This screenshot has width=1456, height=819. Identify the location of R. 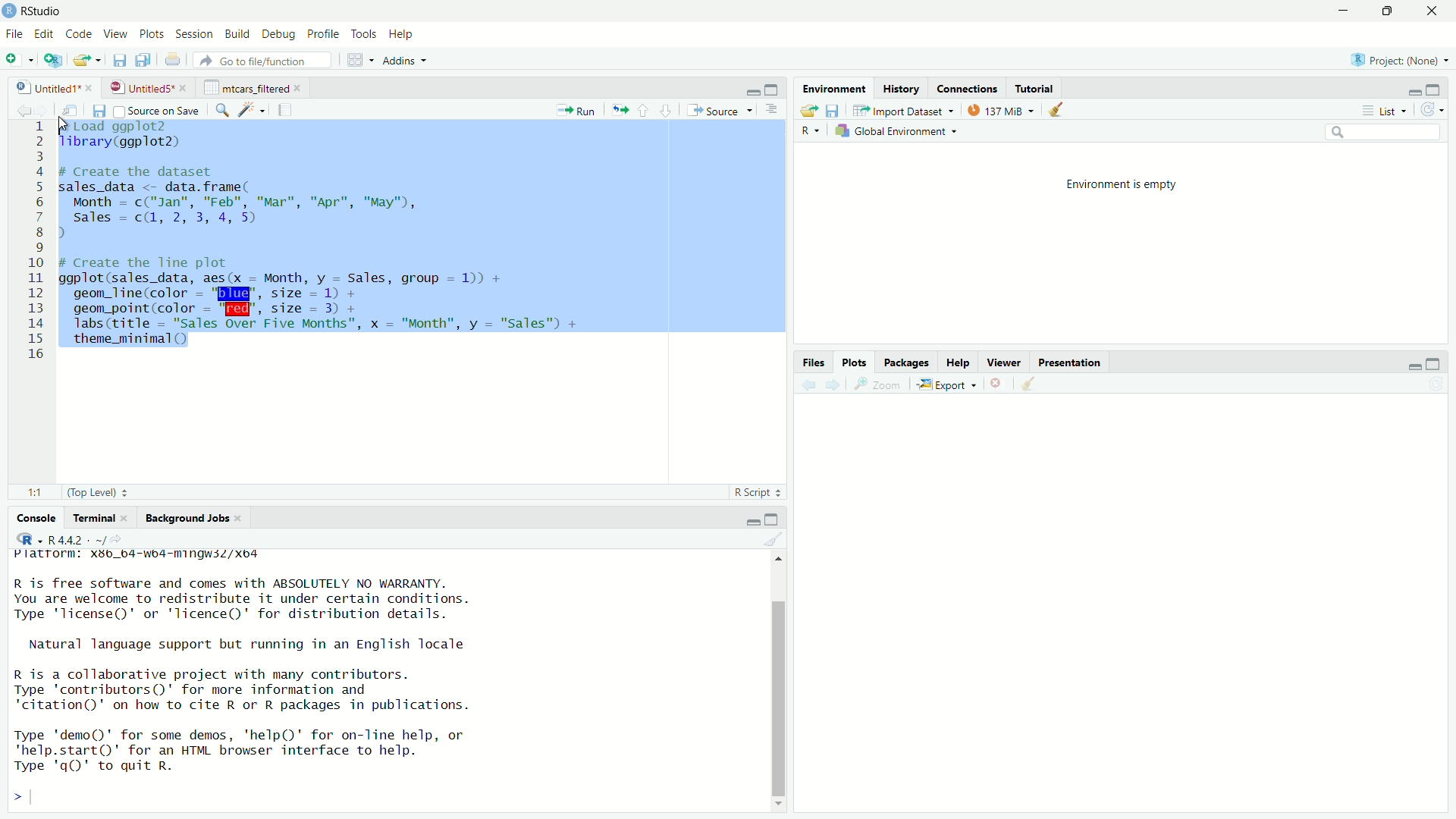
(811, 132).